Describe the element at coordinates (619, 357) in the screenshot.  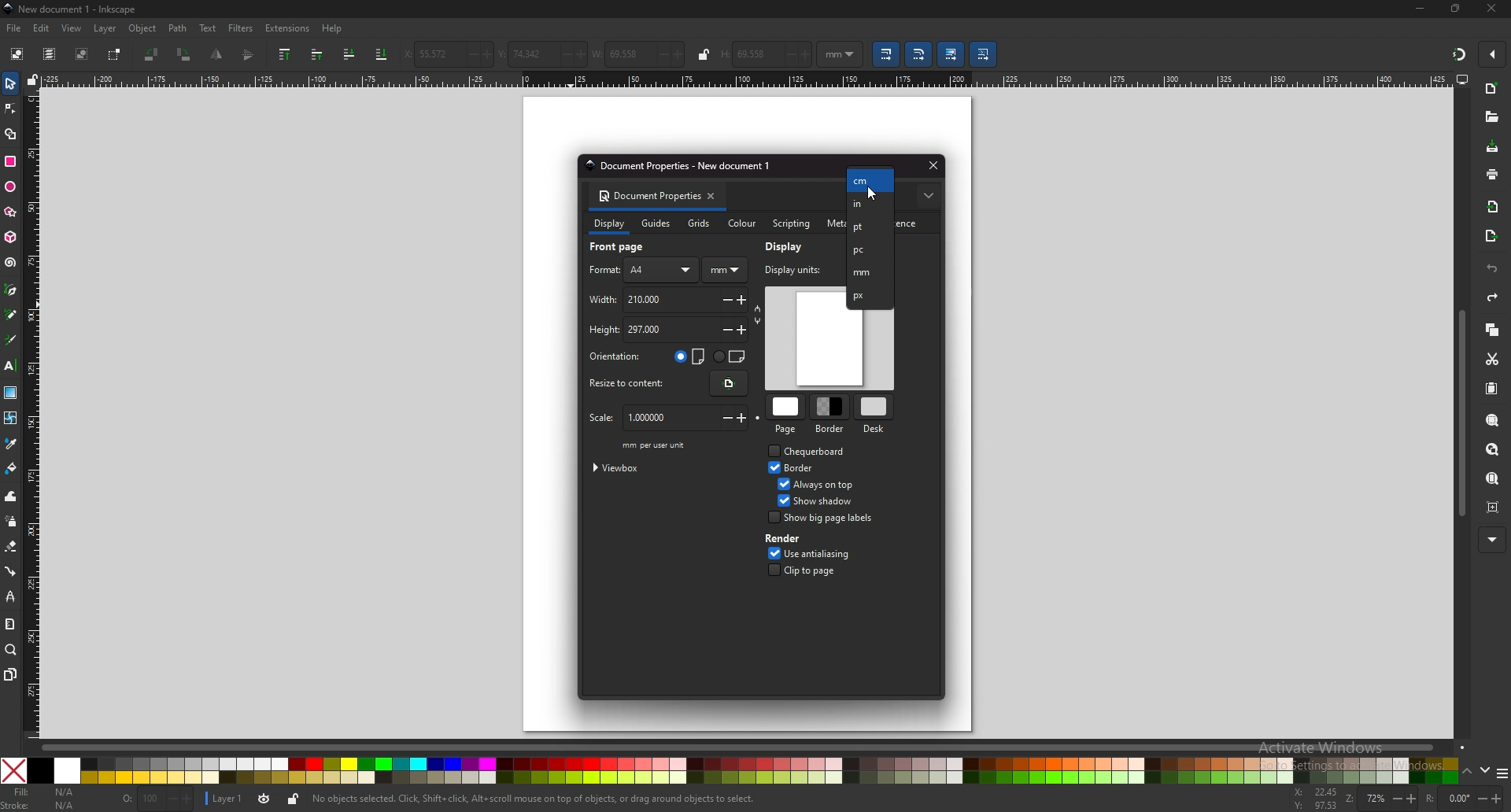
I see `orientation` at that location.